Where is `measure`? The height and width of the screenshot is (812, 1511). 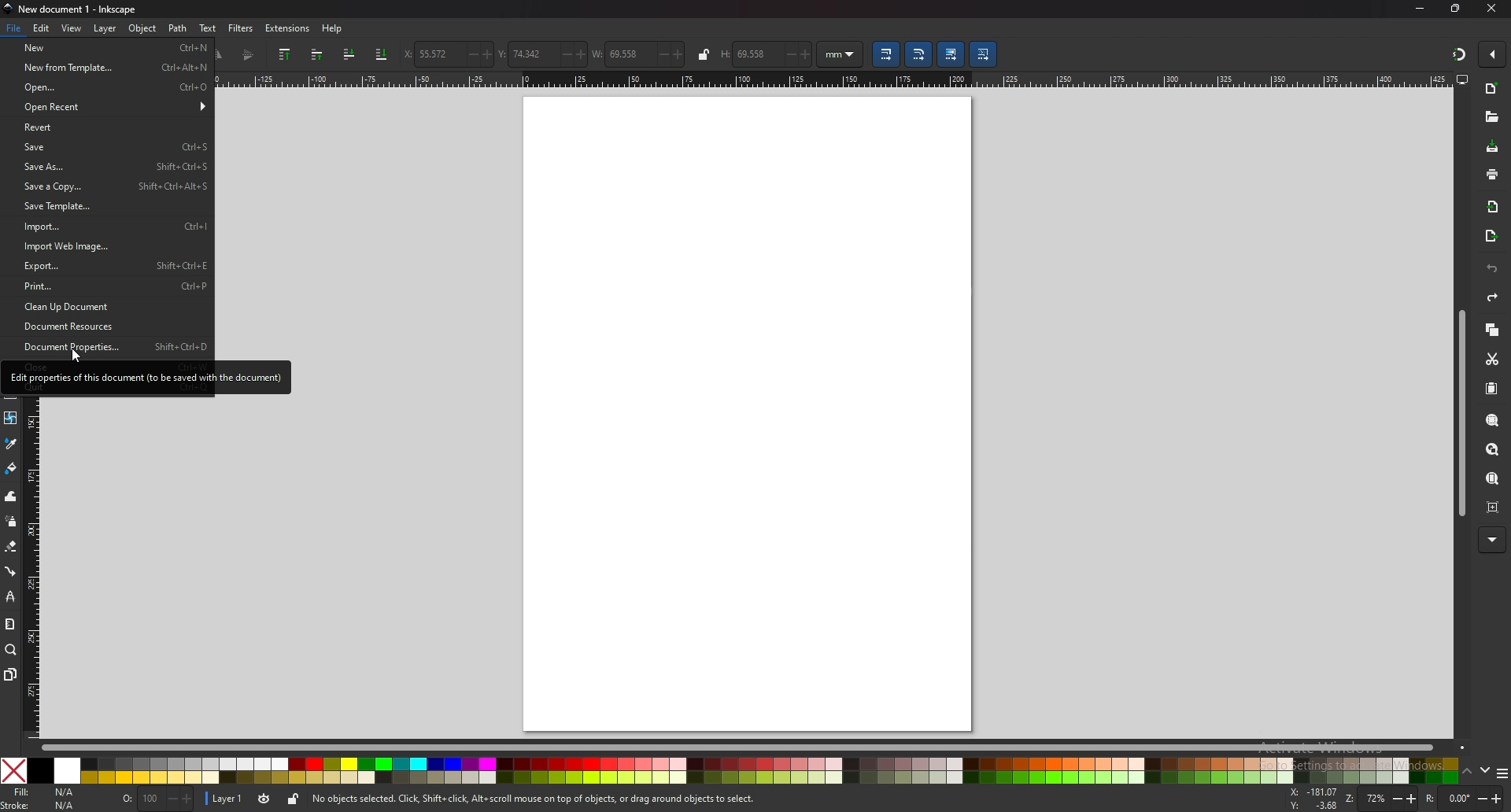 measure is located at coordinates (10, 624).